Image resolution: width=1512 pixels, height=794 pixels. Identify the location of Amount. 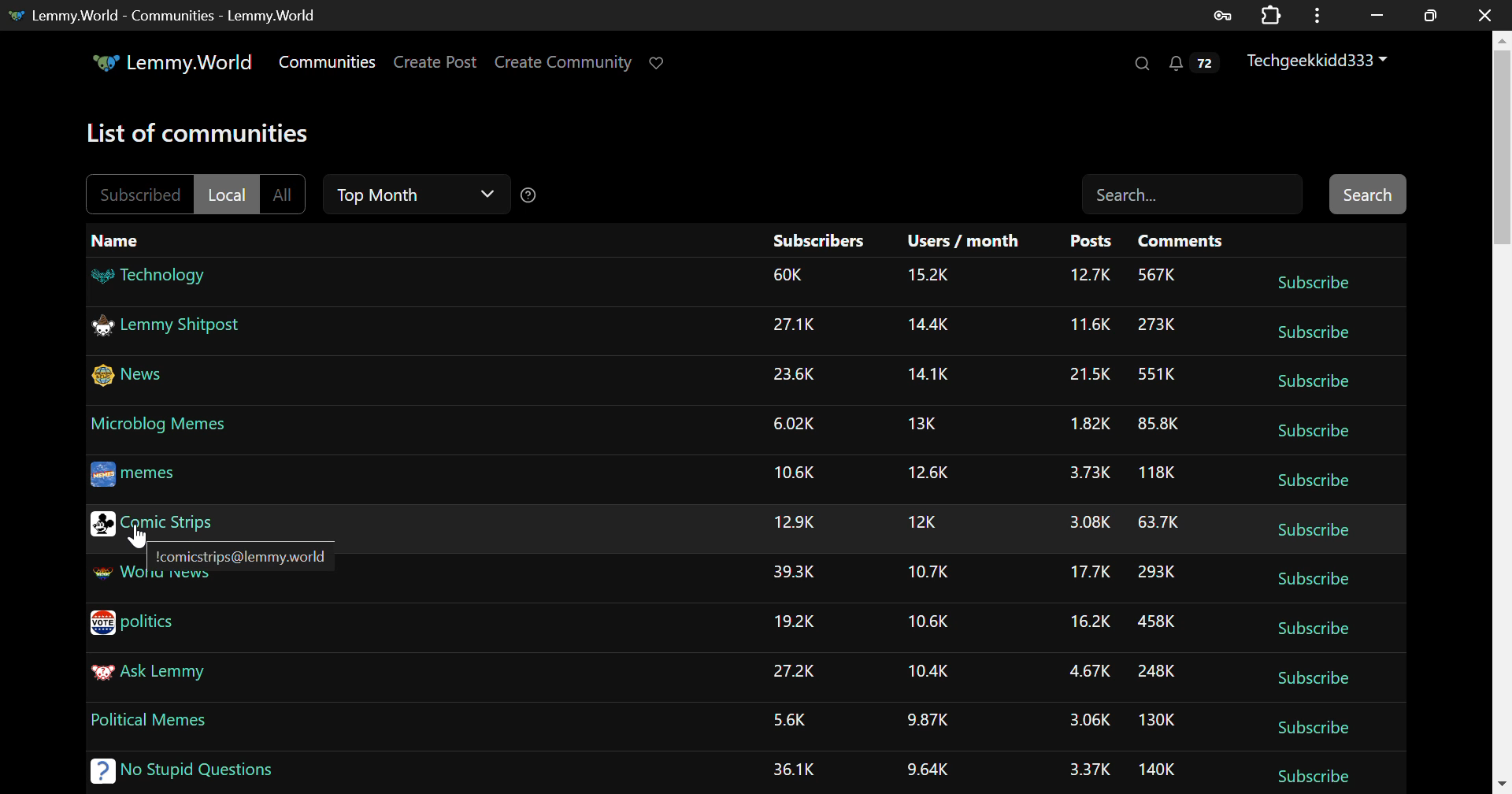
(1091, 277).